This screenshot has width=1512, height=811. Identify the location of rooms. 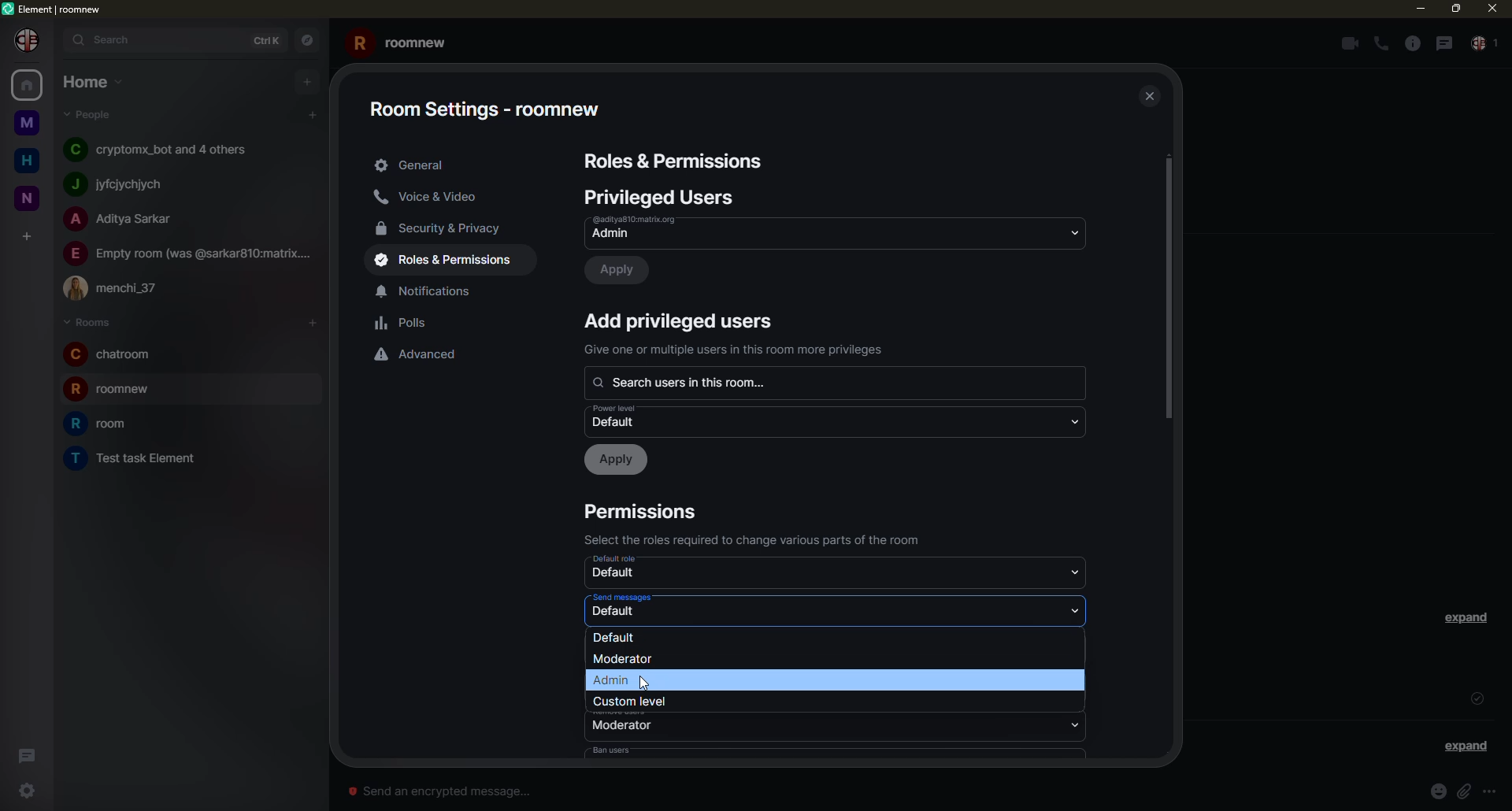
(87, 321).